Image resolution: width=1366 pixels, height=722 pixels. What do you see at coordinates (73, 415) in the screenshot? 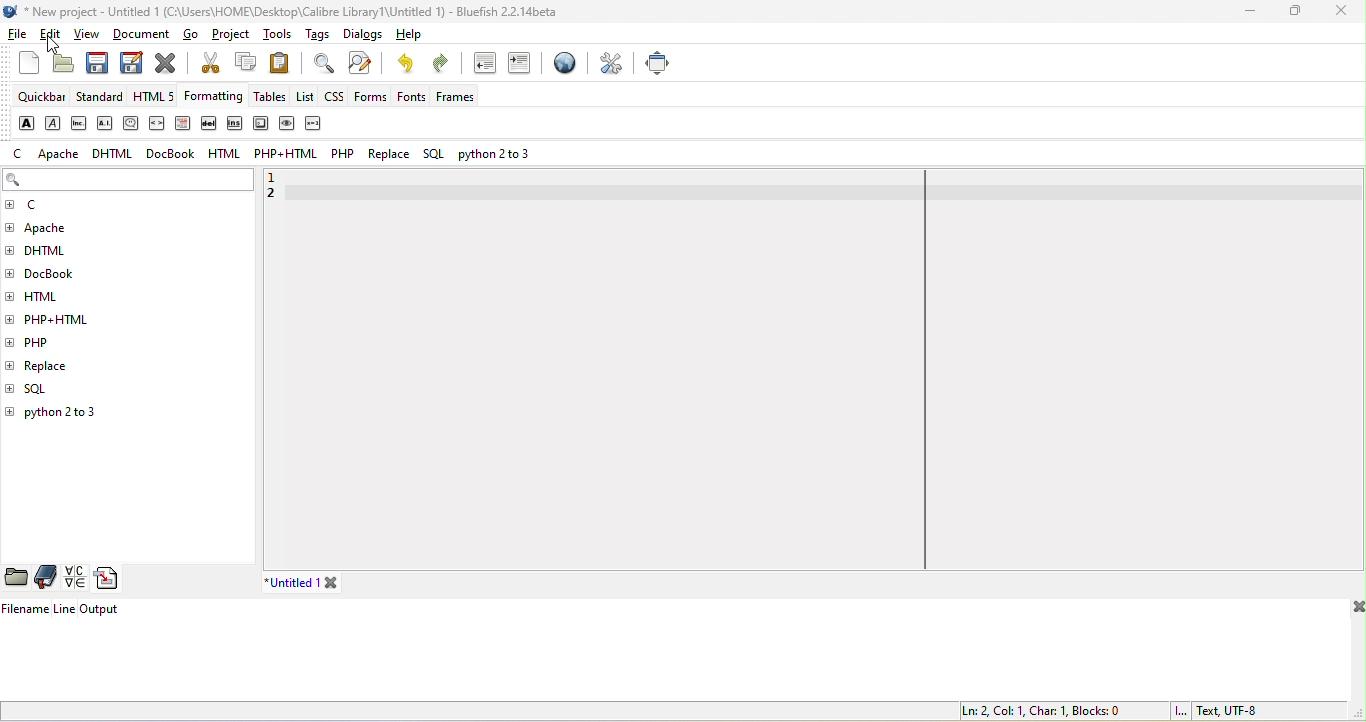
I see `python 2 to 3` at bounding box center [73, 415].